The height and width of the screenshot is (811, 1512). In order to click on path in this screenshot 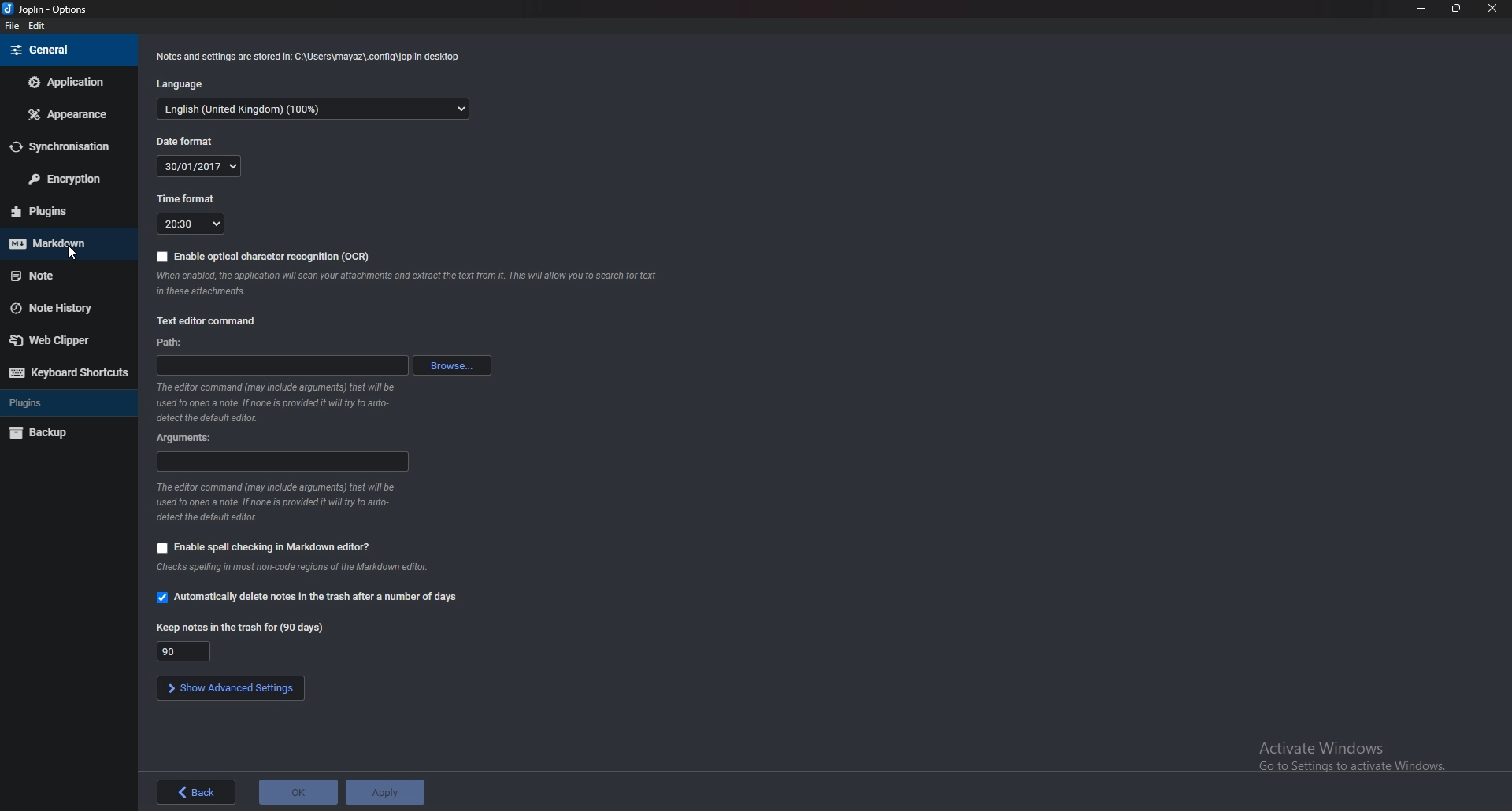, I will do `click(172, 342)`.